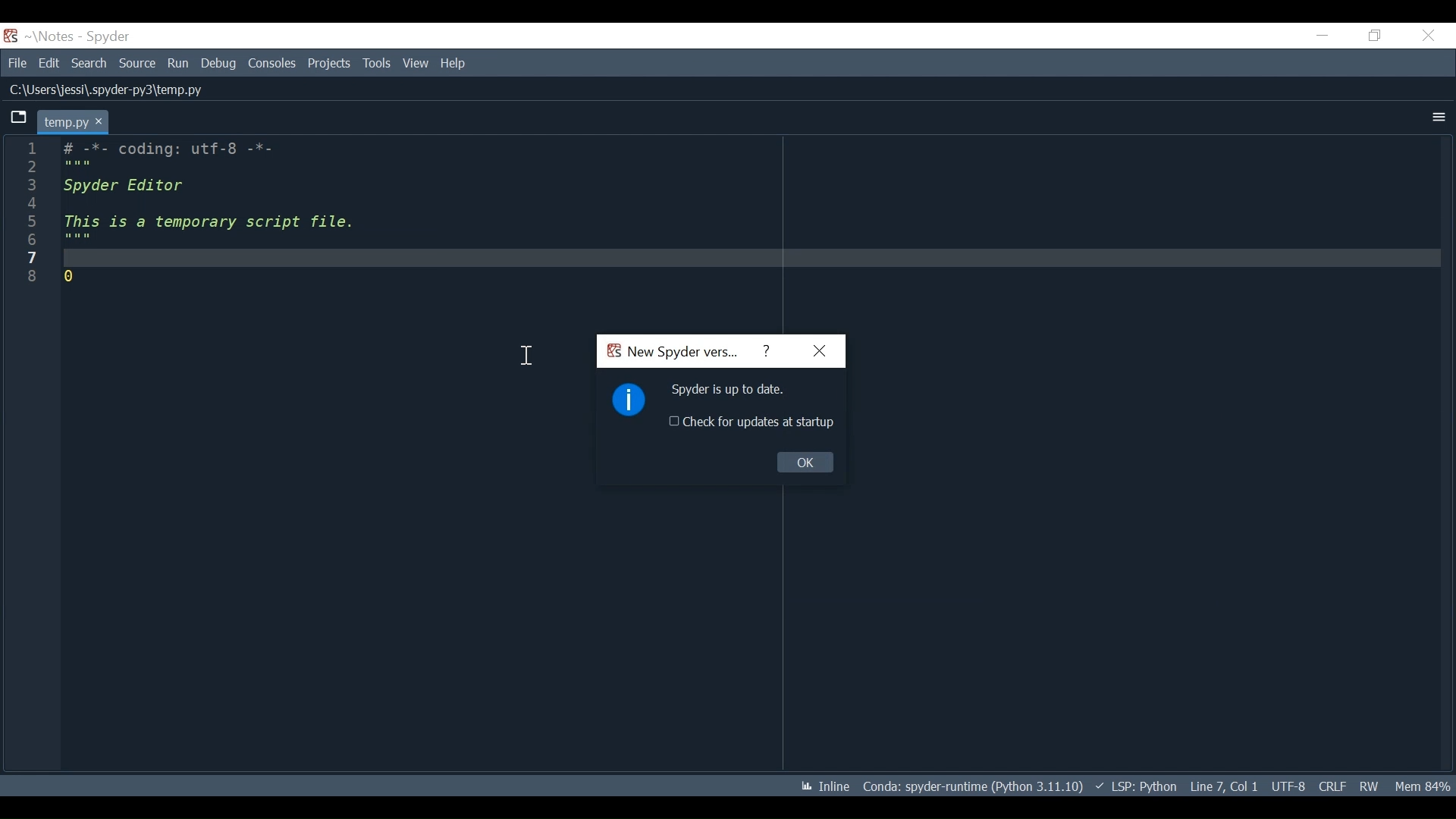 The height and width of the screenshot is (819, 1456). What do you see at coordinates (1136, 786) in the screenshot?
I see `LSP: Python` at bounding box center [1136, 786].